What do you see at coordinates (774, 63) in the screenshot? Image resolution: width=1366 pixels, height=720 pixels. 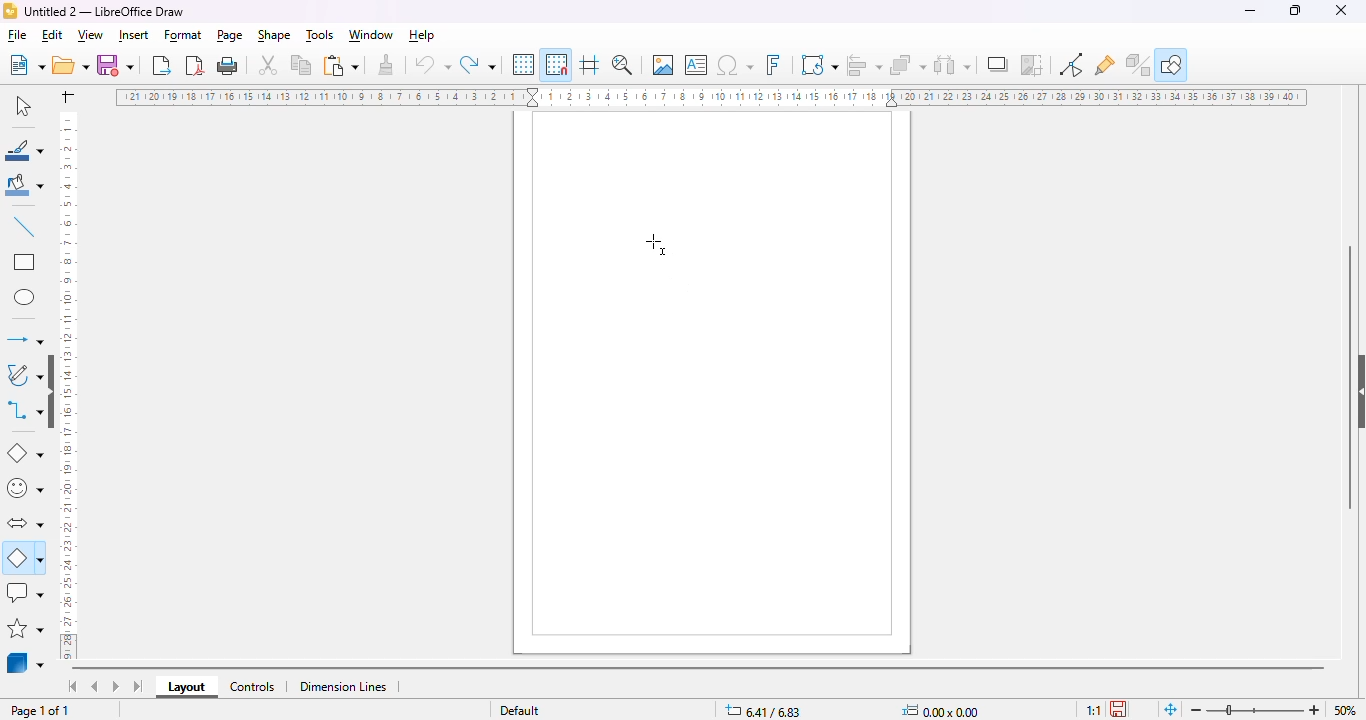 I see `insert fontwork text` at bounding box center [774, 63].